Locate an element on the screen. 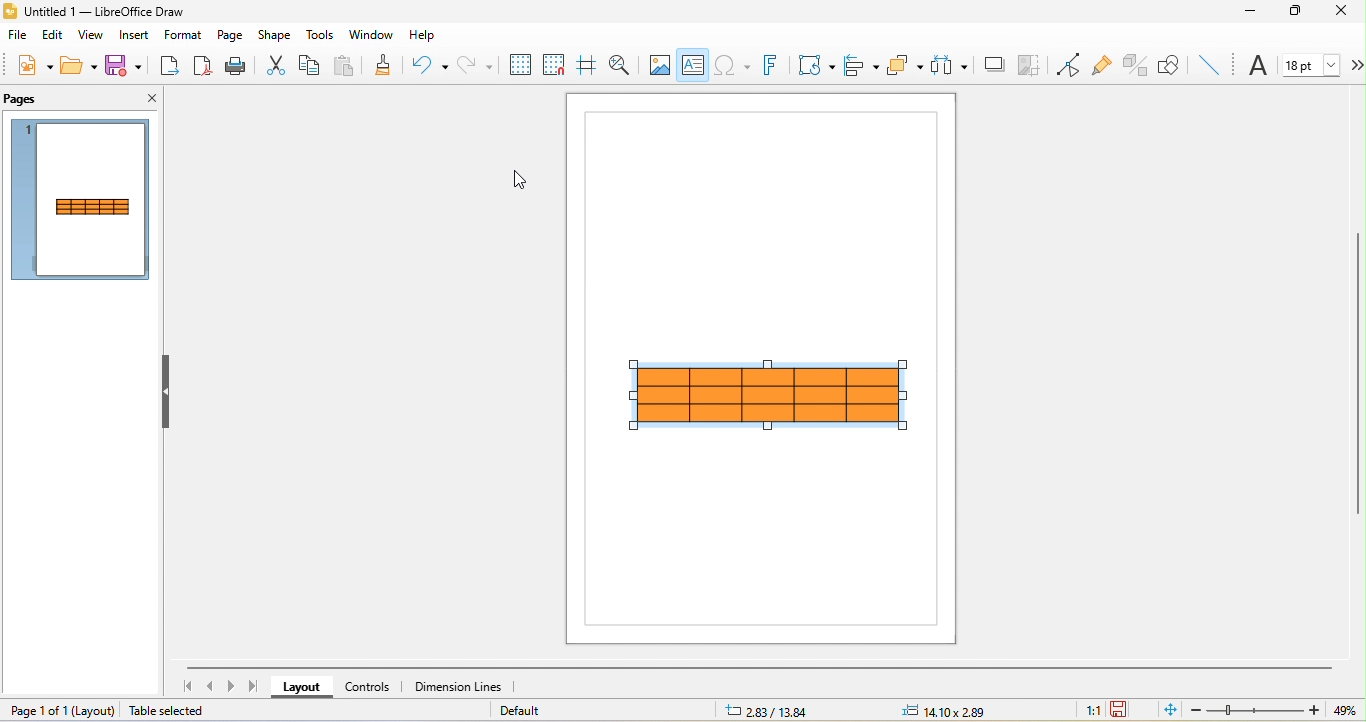 The width and height of the screenshot is (1366, 722). maximize is located at coordinates (1301, 15).